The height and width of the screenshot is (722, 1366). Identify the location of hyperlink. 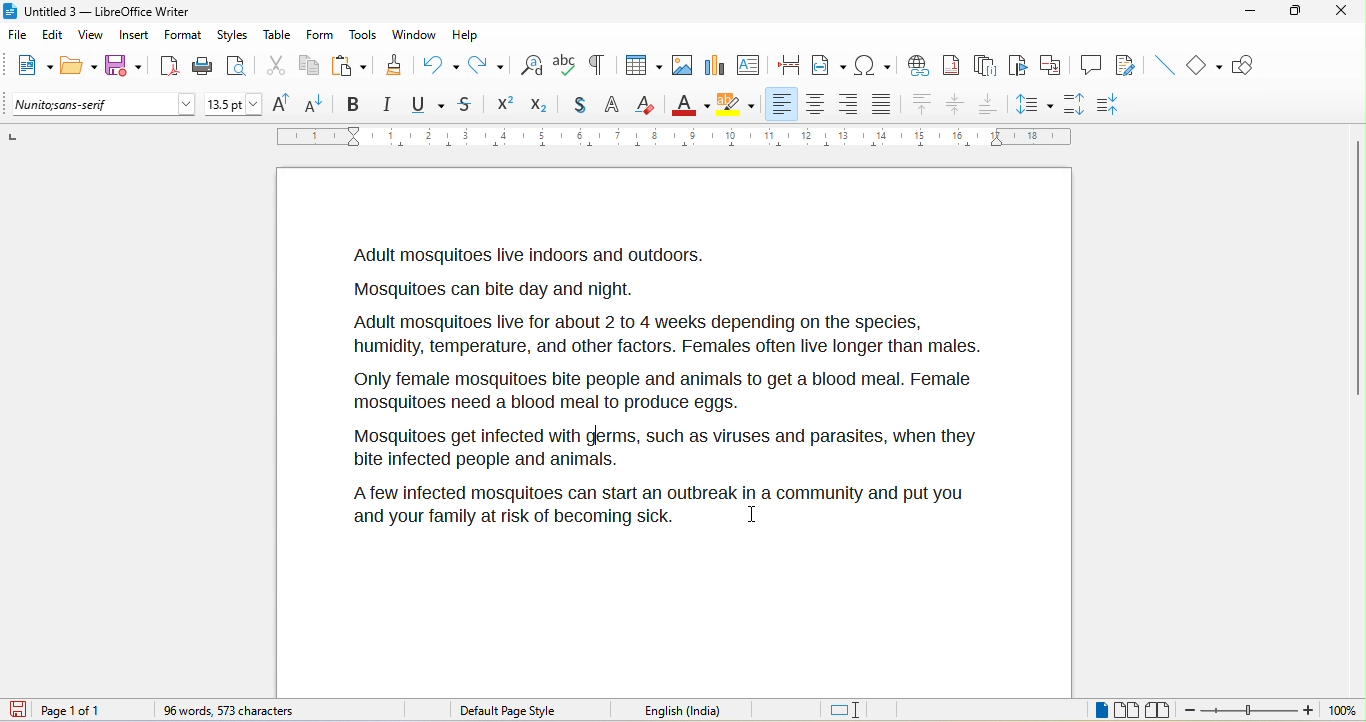
(921, 64).